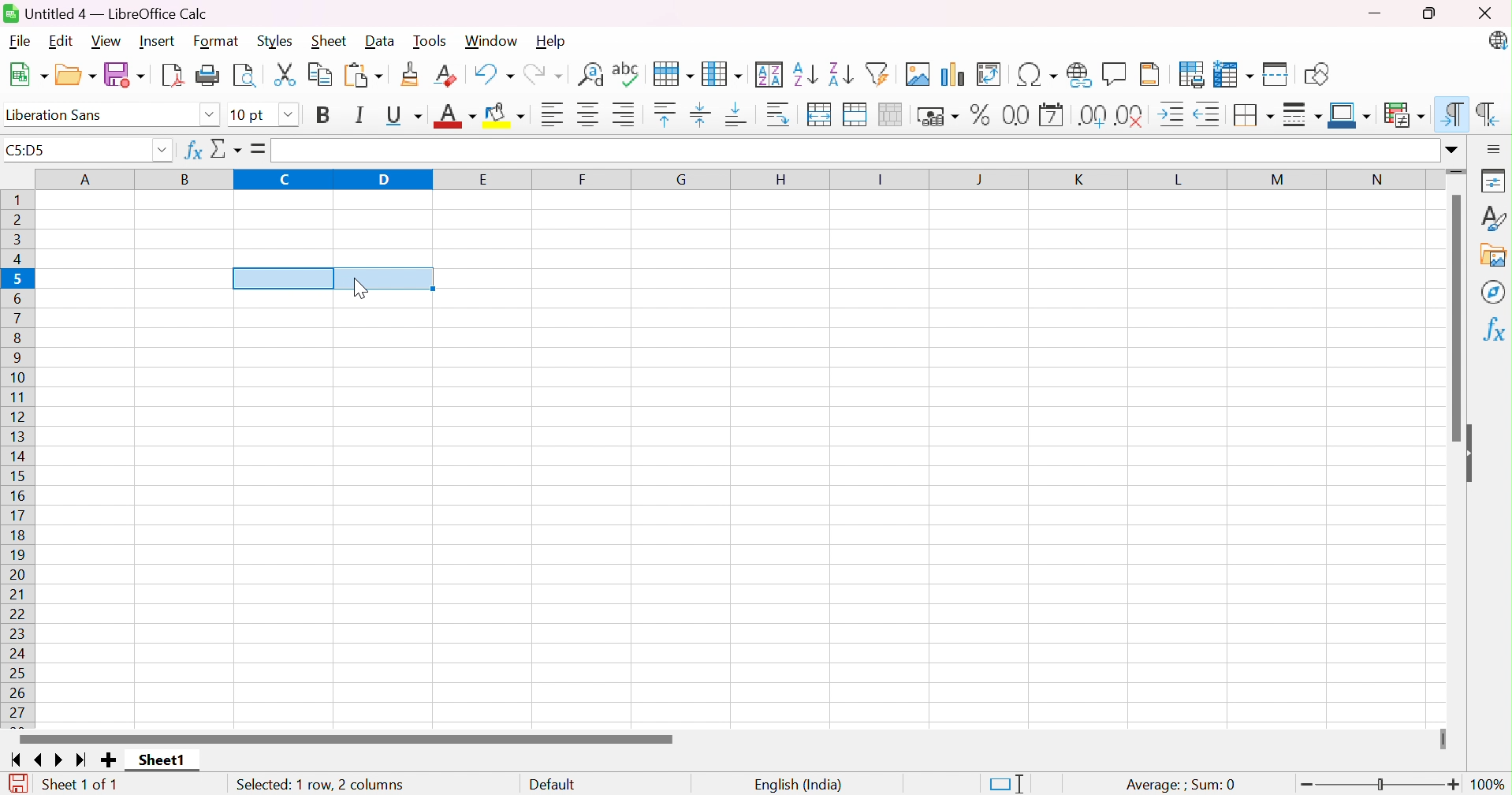 The width and height of the screenshot is (1512, 795). Describe the element at coordinates (1401, 112) in the screenshot. I see `Conditional` at that location.